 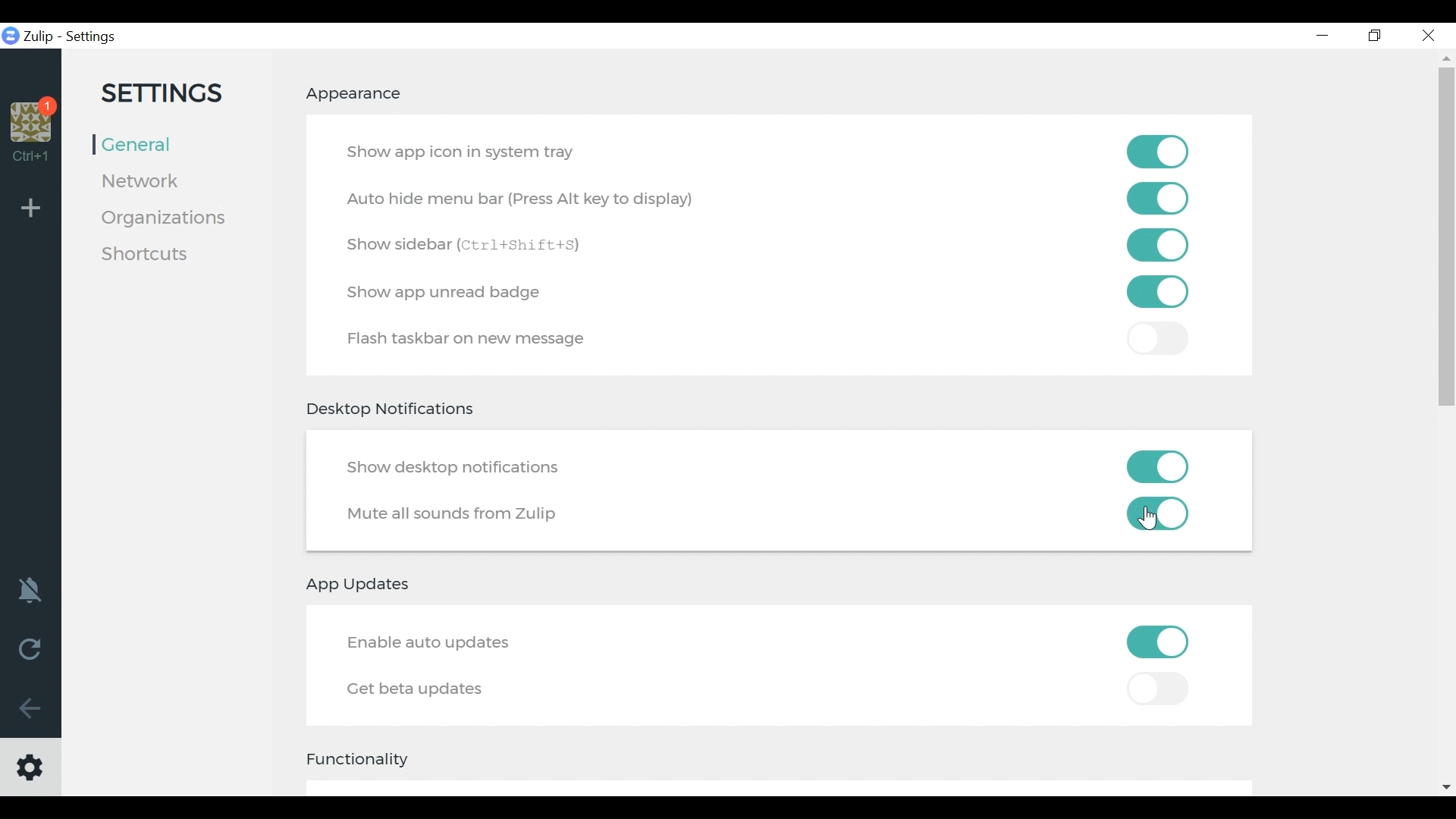 What do you see at coordinates (1159, 151) in the screenshot?
I see `Toggle on/off show app on system tray` at bounding box center [1159, 151].